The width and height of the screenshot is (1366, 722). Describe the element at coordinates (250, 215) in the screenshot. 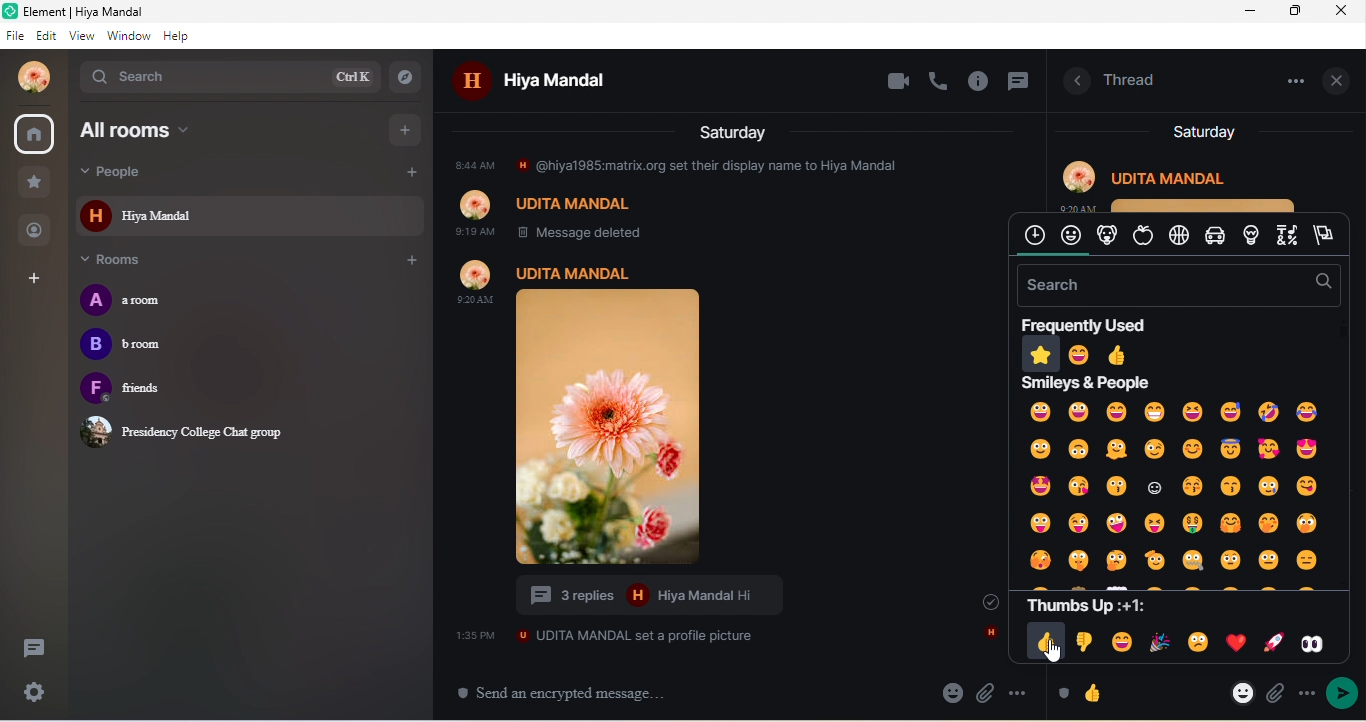

I see `hiya mandal` at that location.